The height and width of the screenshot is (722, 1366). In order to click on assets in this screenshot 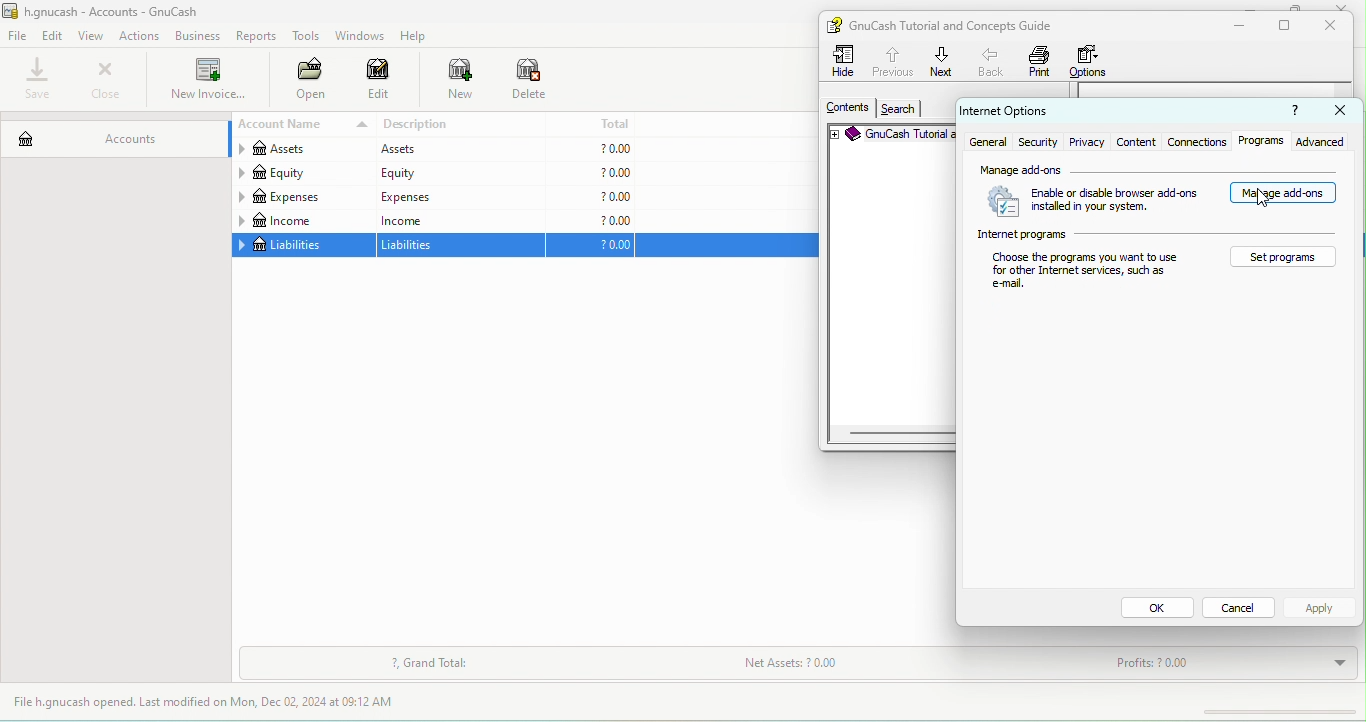, I will do `click(300, 151)`.